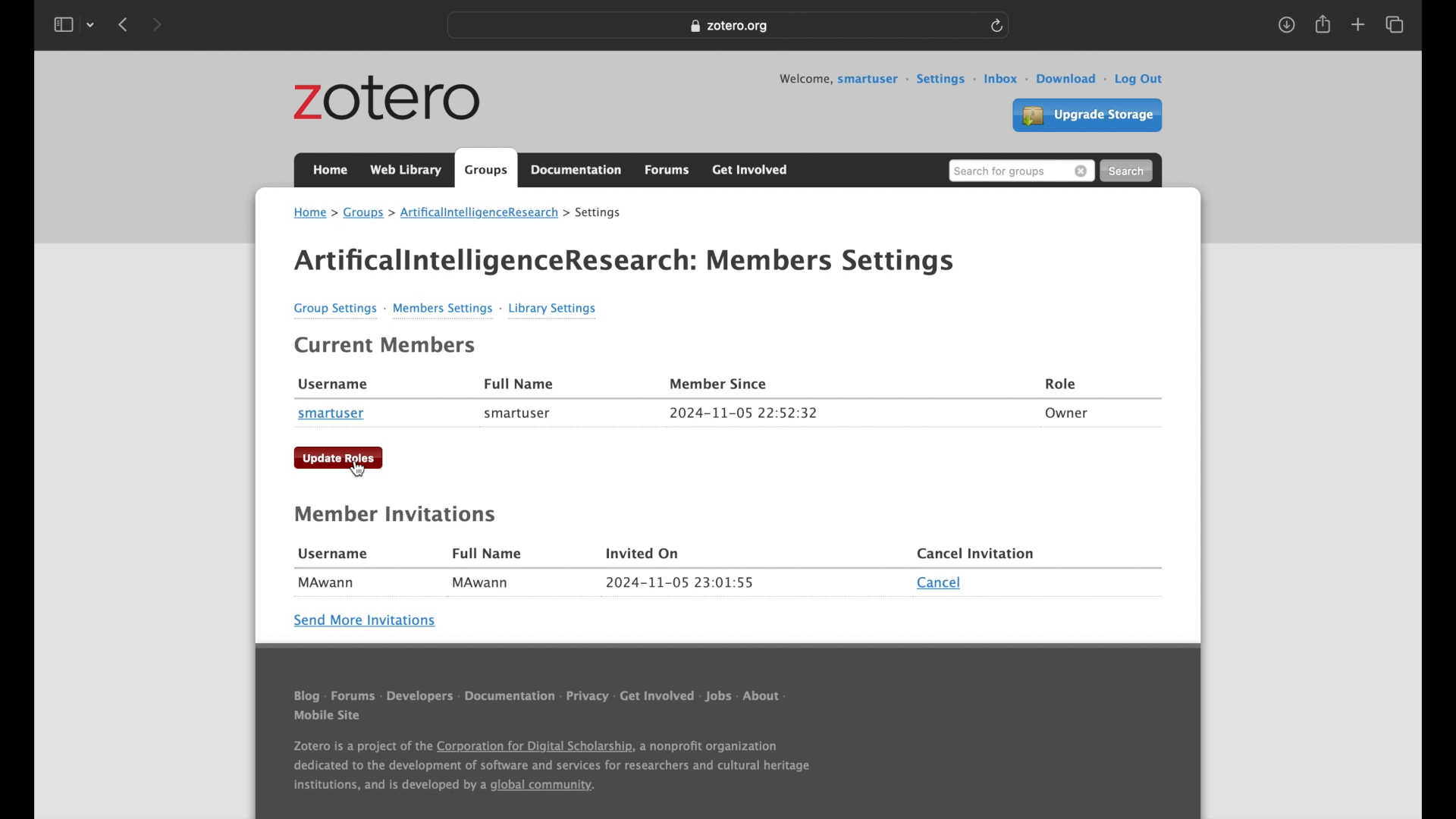  What do you see at coordinates (366, 621) in the screenshot?
I see `send more invitations` at bounding box center [366, 621].